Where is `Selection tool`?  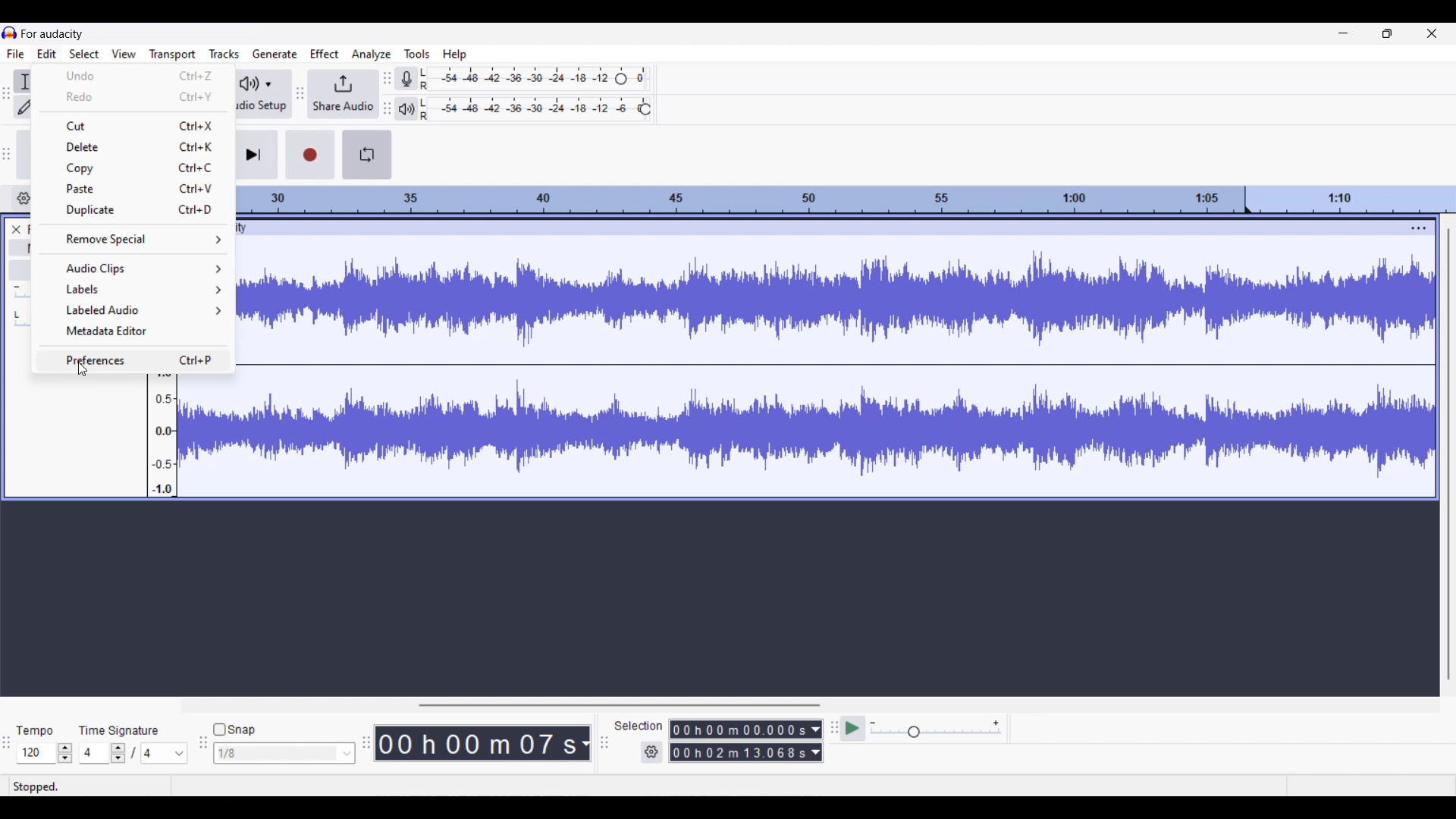 Selection tool is located at coordinates (23, 81).